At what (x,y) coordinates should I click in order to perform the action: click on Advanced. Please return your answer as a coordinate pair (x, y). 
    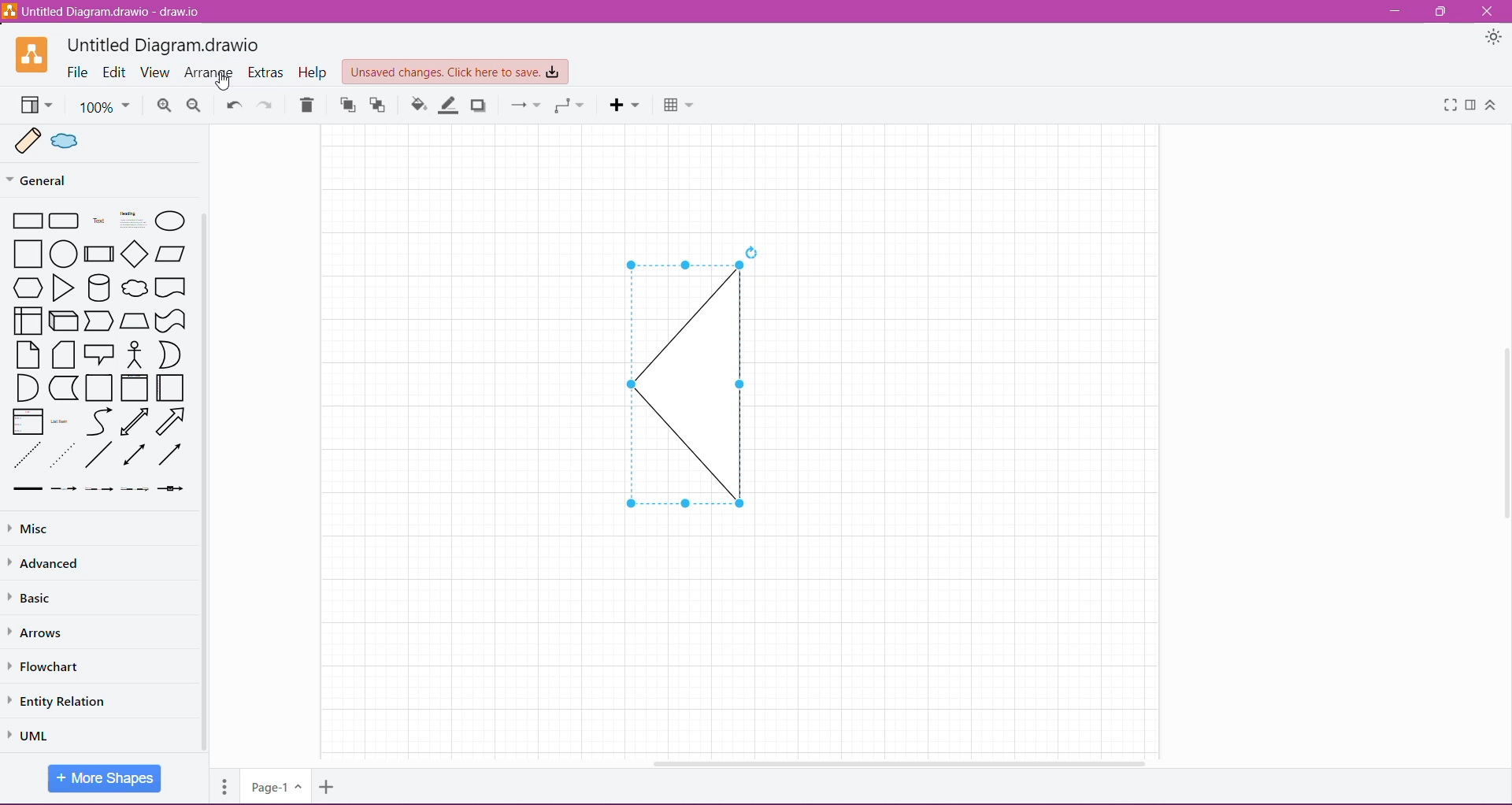
    Looking at the image, I should click on (48, 566).